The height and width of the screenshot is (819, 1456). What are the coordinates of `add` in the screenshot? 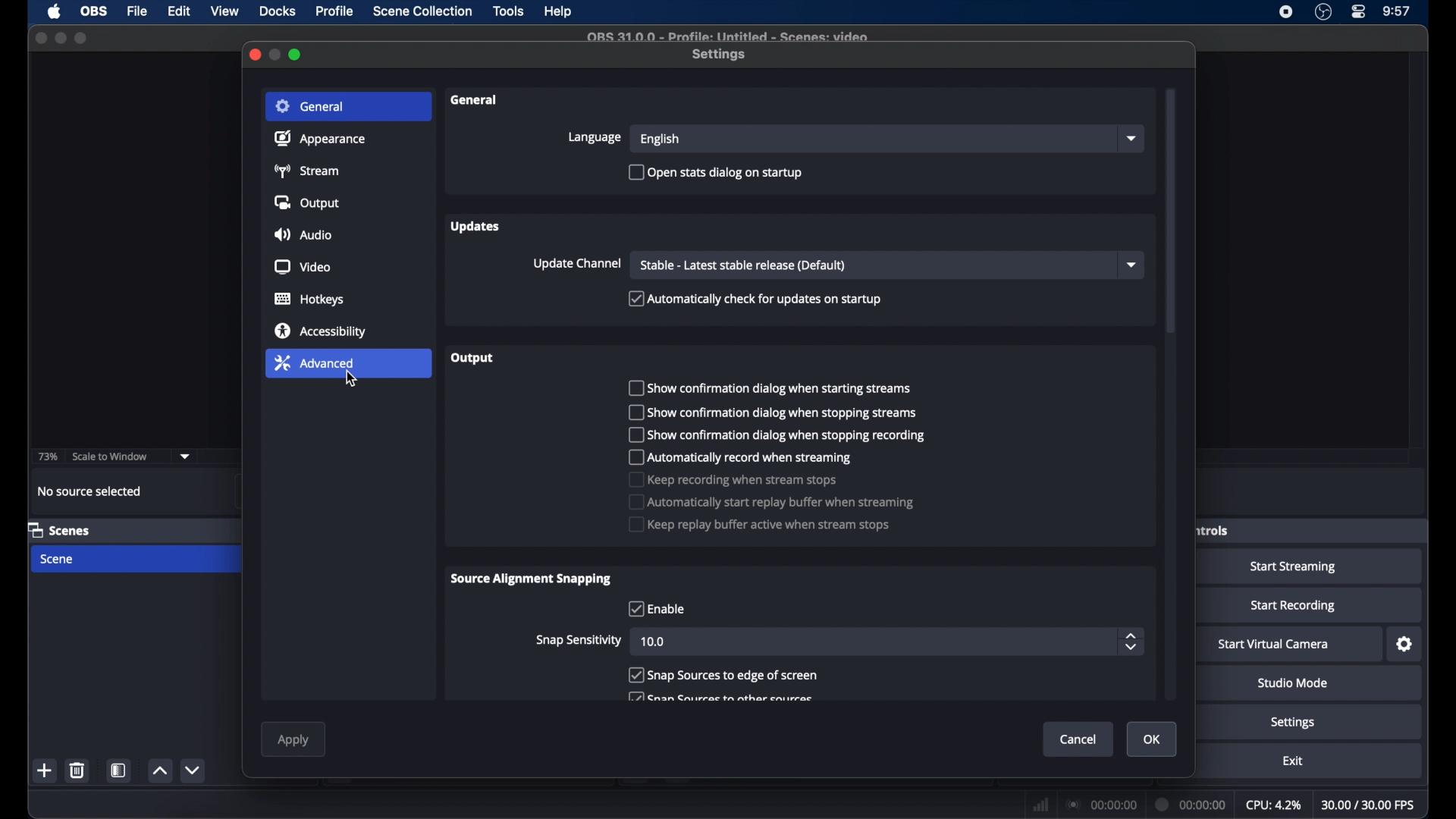 It's located at (46, 770).